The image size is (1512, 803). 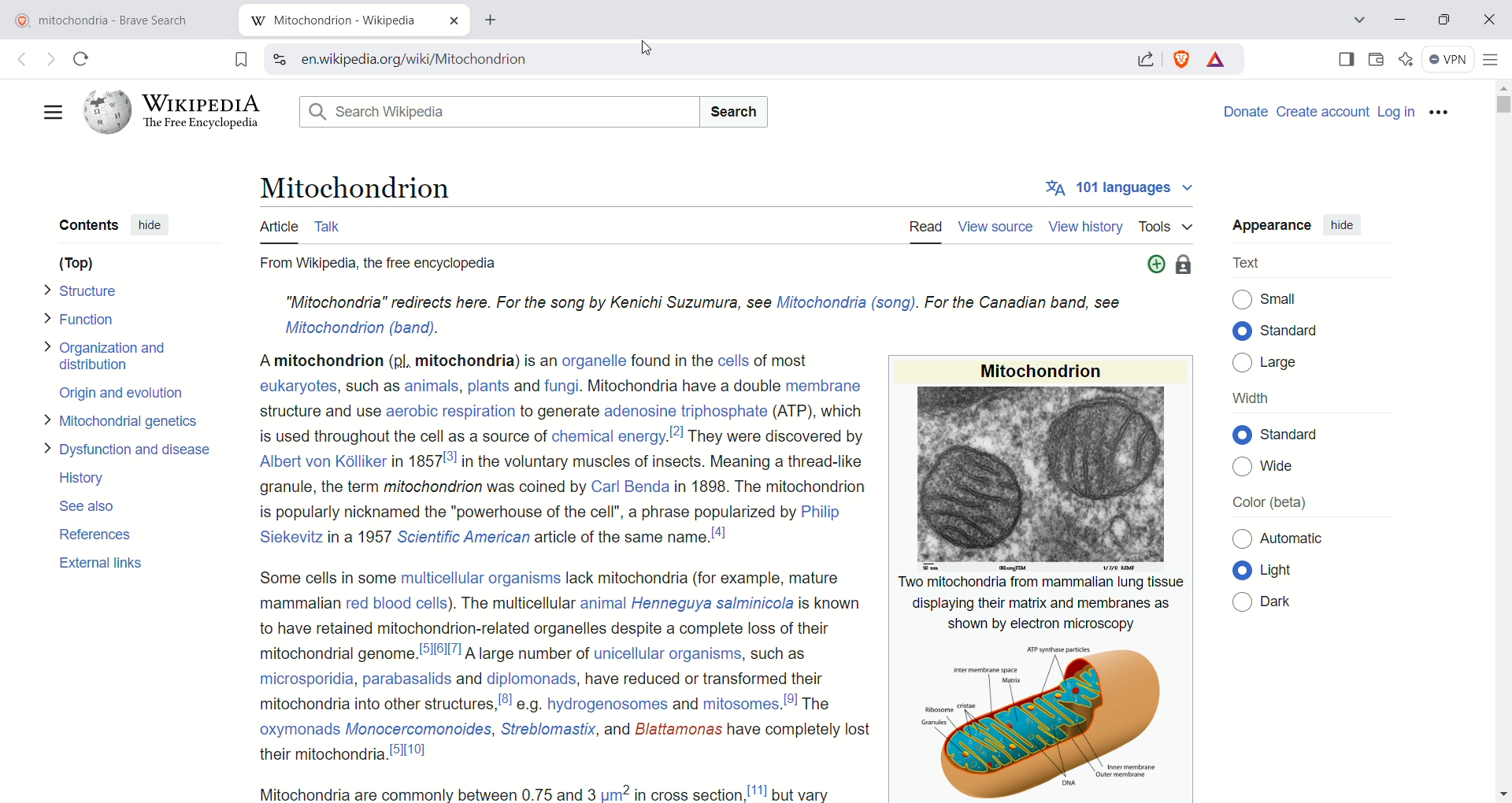 What do you see at coordinates (493, 20) in the screenshot?
I see `add new tab` at bounding box center [493, 20].